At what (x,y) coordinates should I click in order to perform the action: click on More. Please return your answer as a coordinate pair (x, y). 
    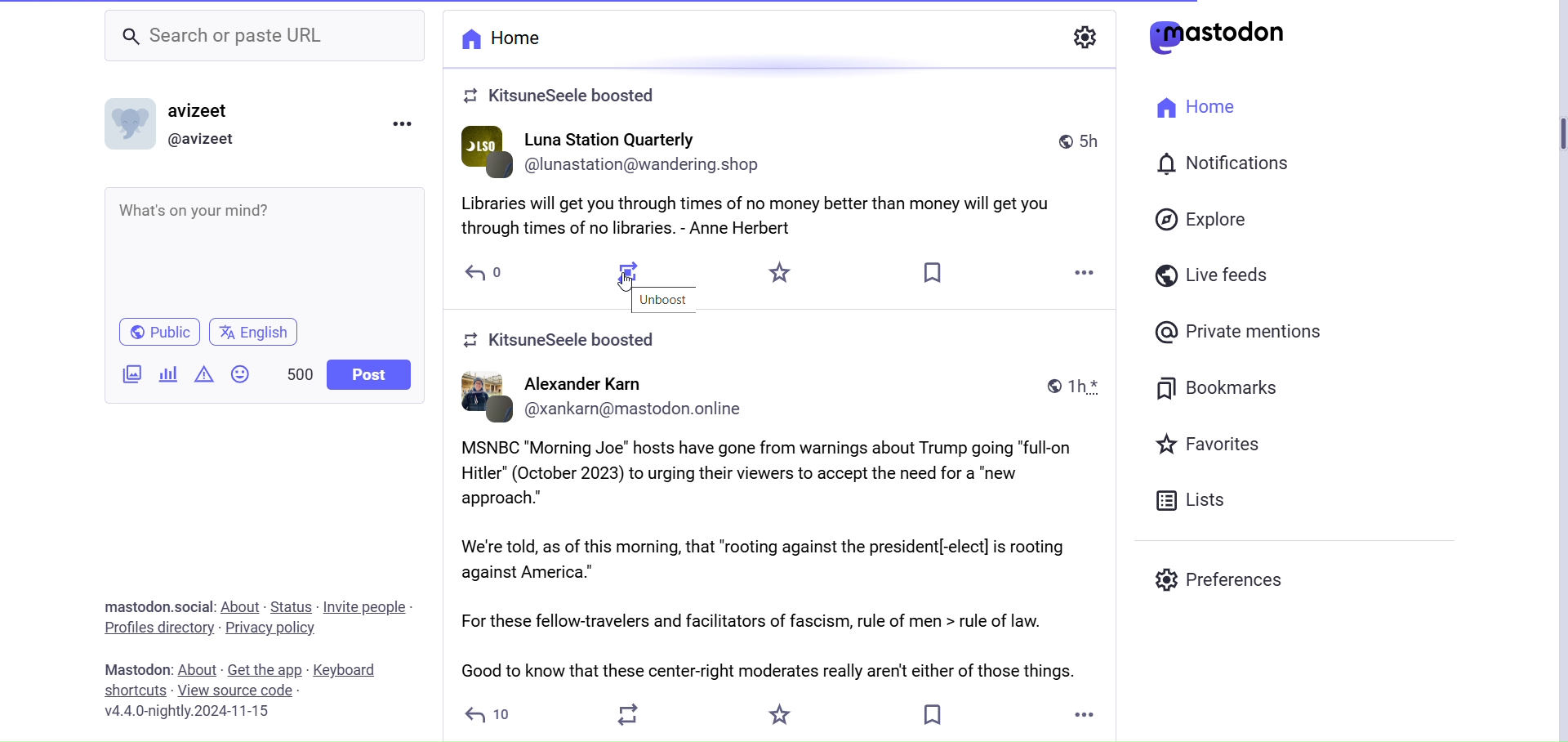
    Looking at the image, I should click on (1083, 716).